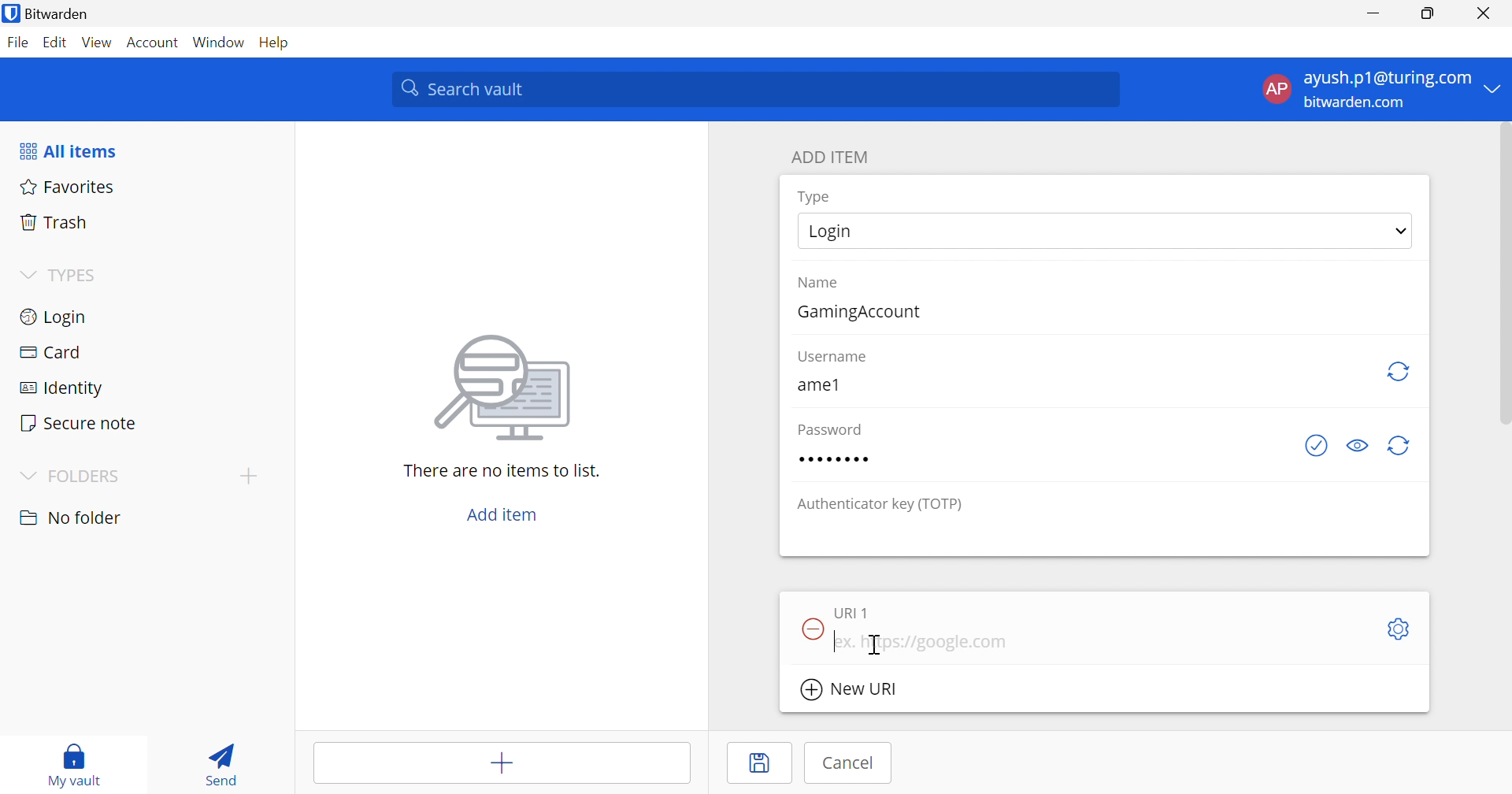  What do you see at coordinates (834, 158) in the screenshot?
I see `ADD ITEM` at bounding box center [834, 158].